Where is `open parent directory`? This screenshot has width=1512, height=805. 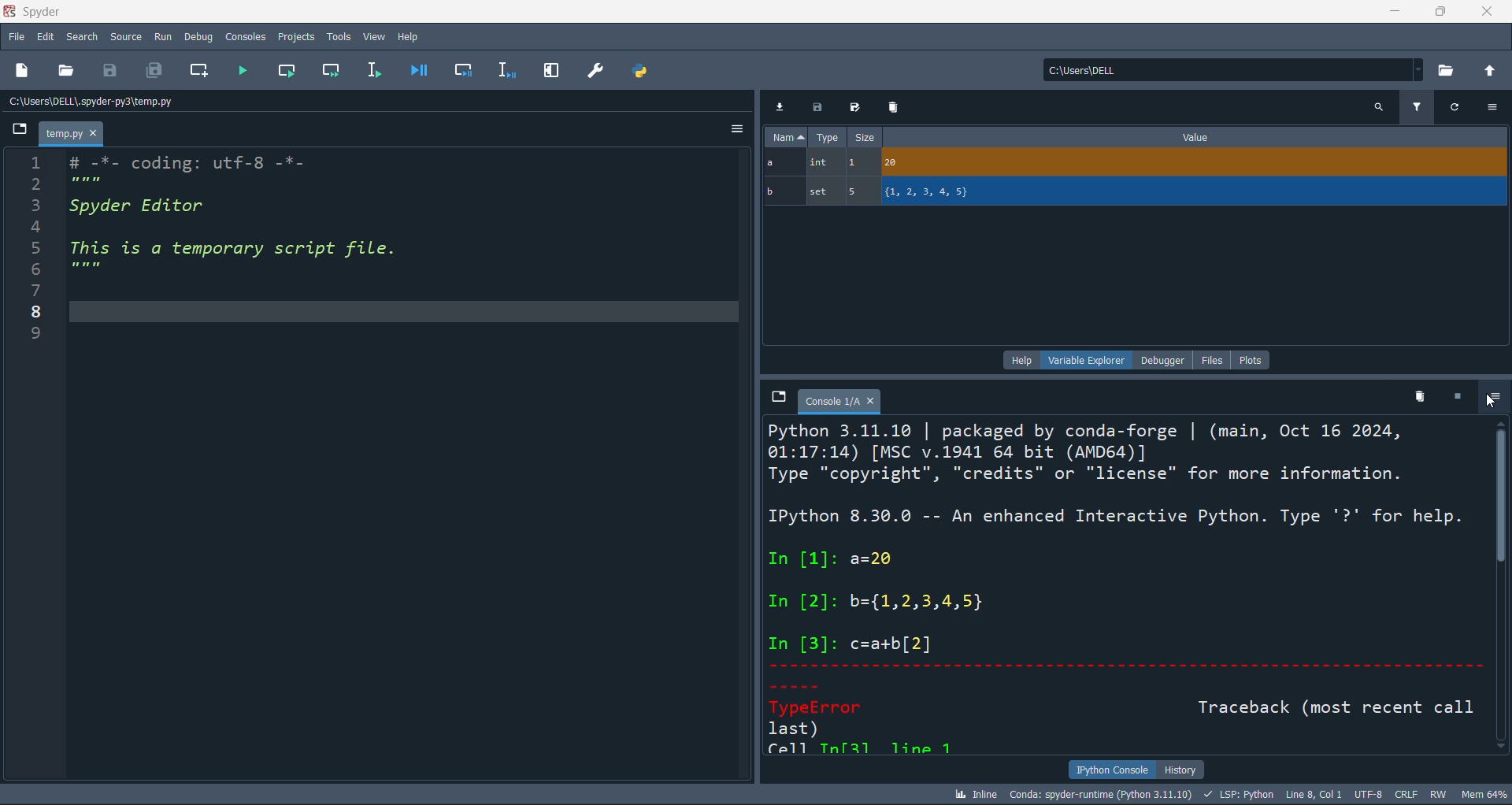 open parent directory is located at coordinates (1492, 69).